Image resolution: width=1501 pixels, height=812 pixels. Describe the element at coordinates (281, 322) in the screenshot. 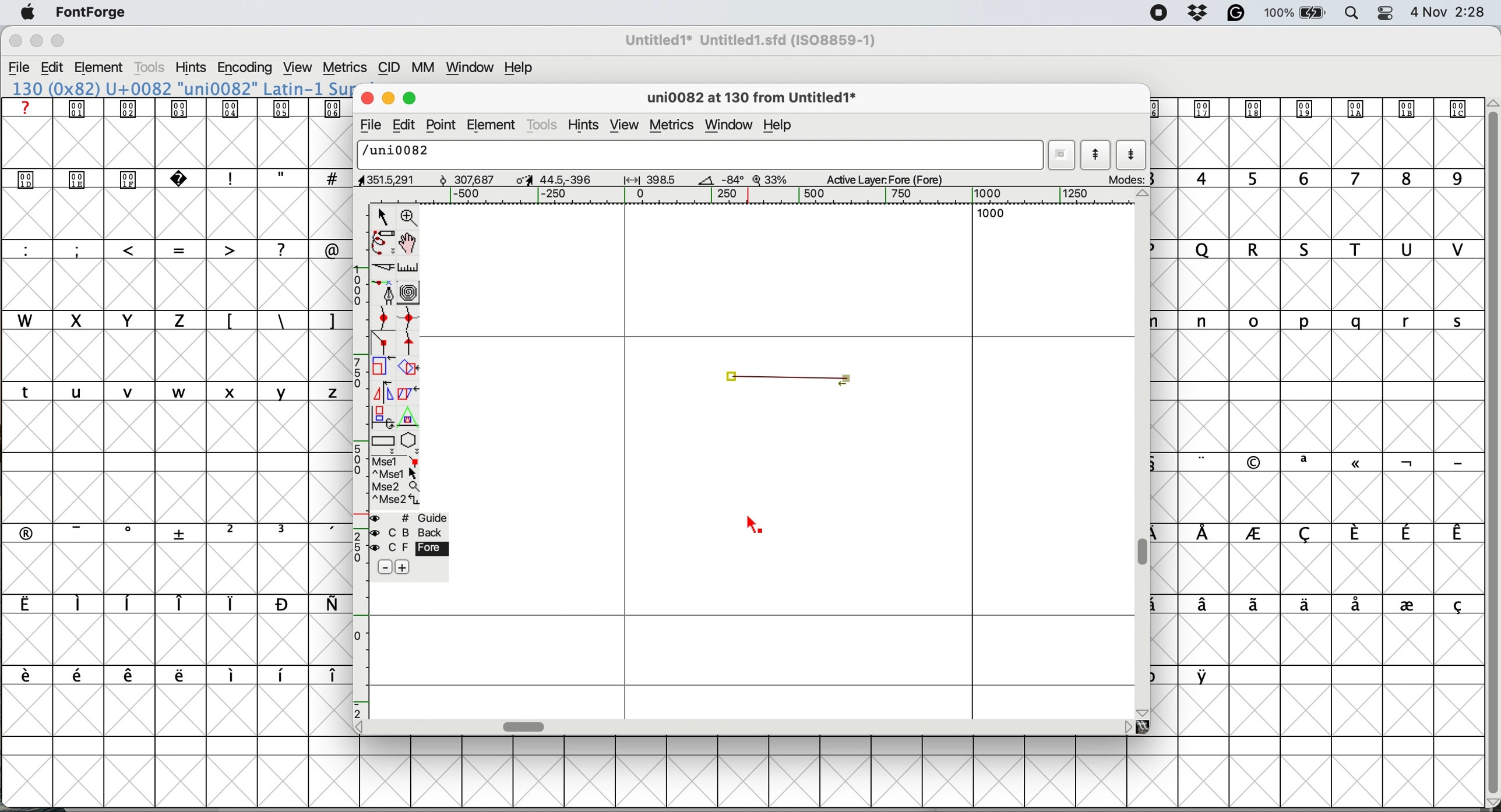

I see `symbols` at that location.